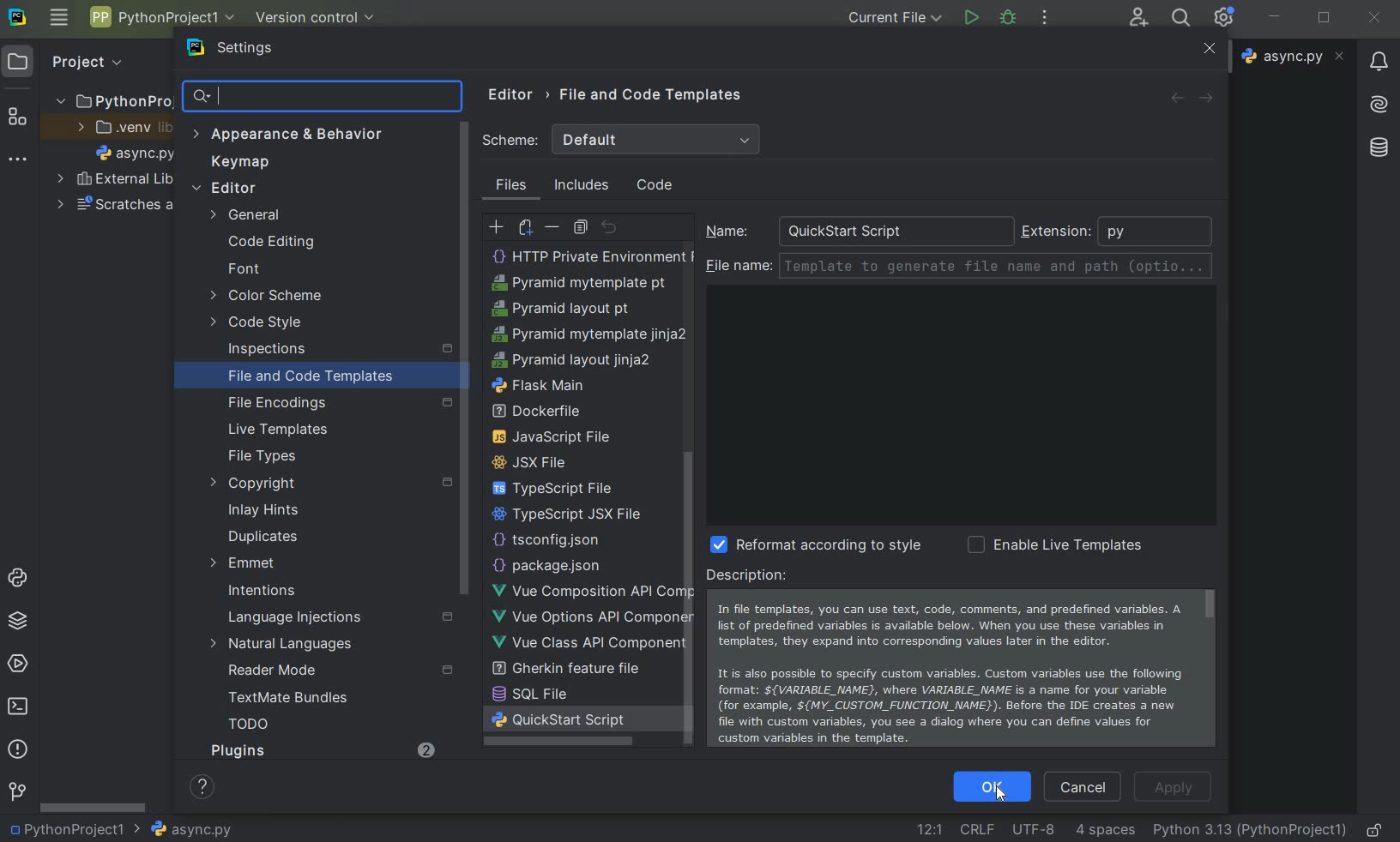  What do you see at coordinates (584, 226) in the screenshot?
I see `copy template` at bounding box center [584, 226].